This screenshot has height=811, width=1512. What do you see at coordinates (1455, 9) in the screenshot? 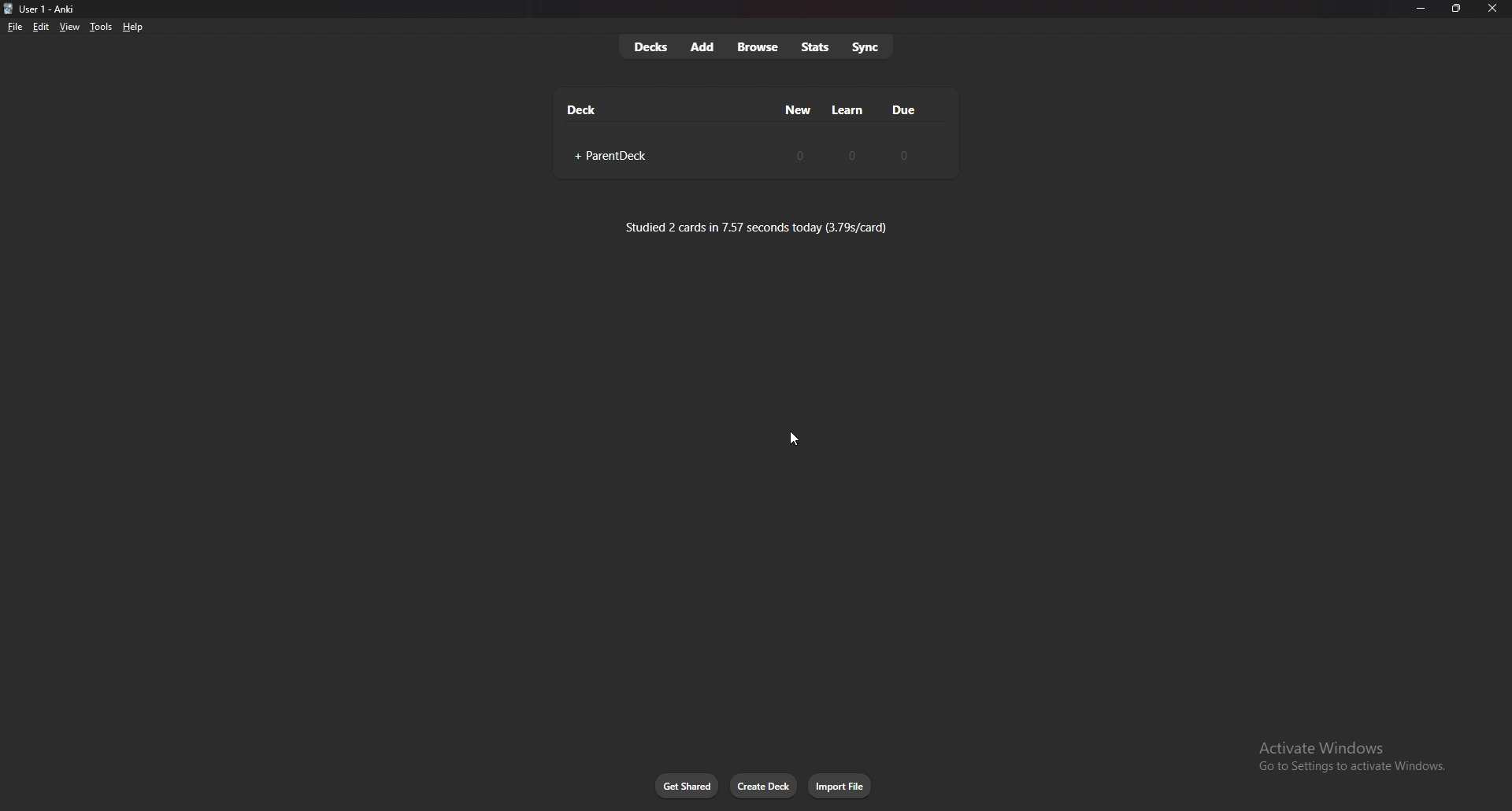
I see `Maximize/resize` at bounding box center [1455, 9].